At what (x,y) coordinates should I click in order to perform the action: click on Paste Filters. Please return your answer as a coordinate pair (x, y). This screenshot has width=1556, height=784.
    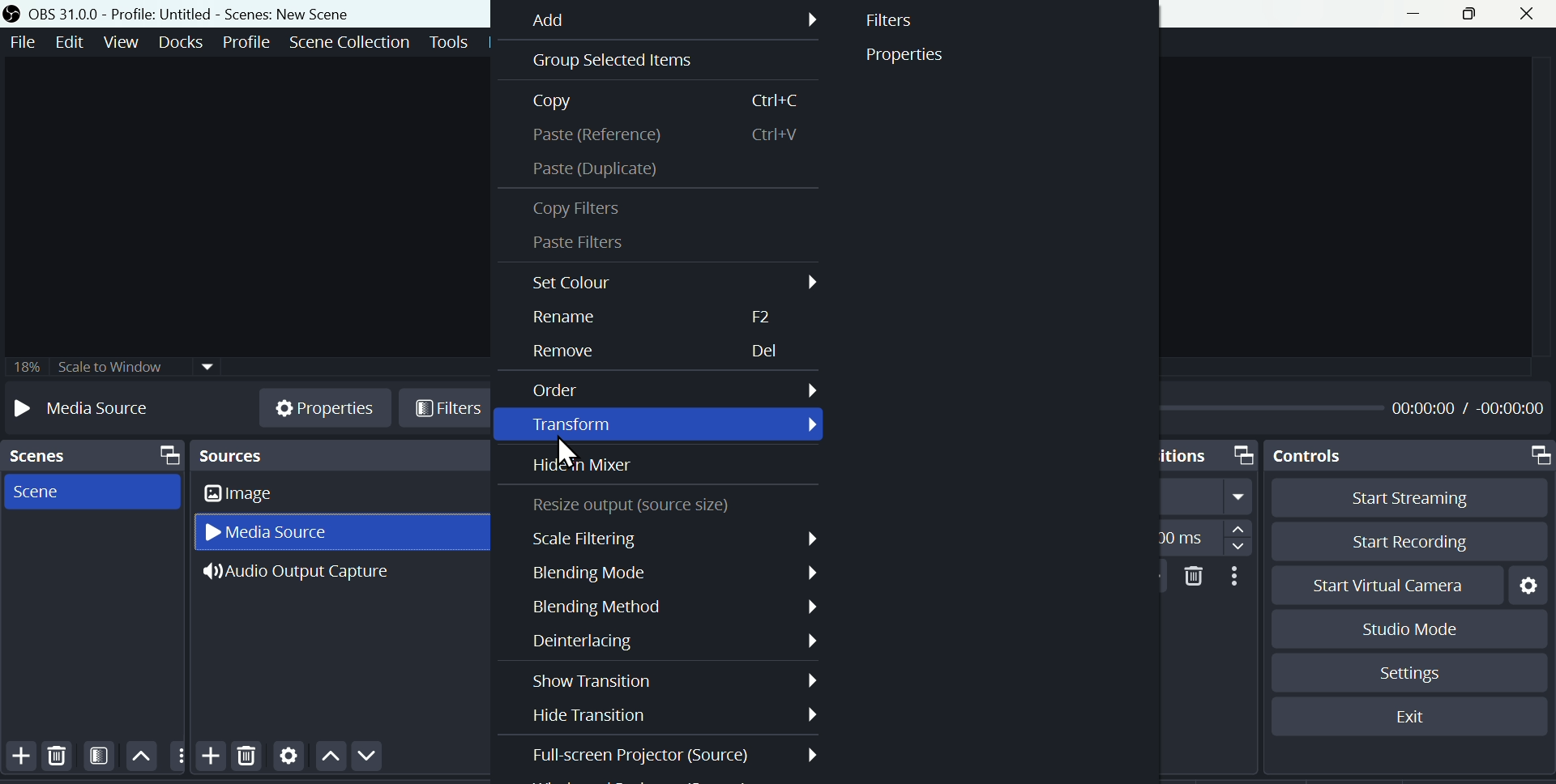
    Looking at the image, I should click on (591, 242).